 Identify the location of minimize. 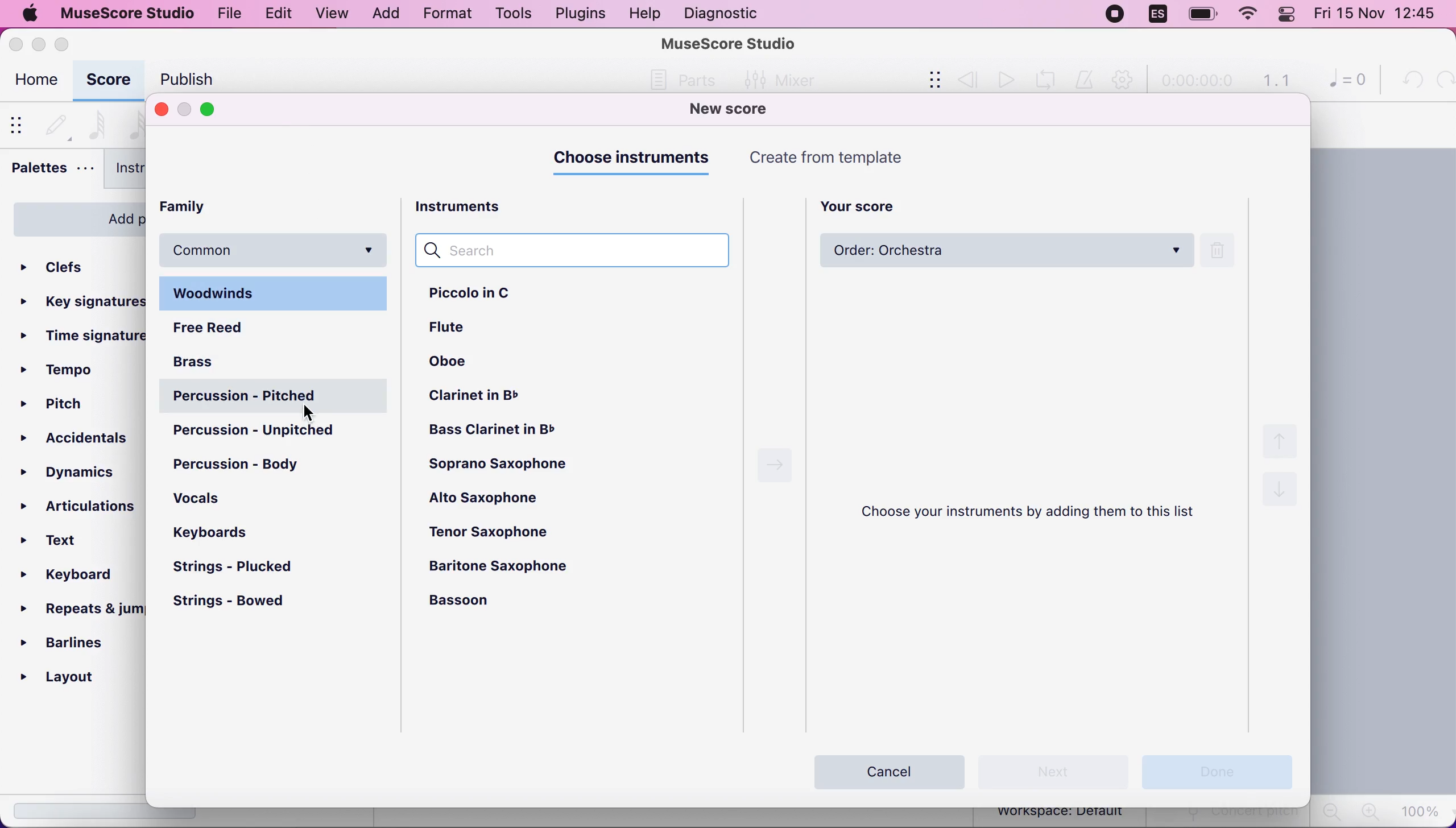
(185, 110).